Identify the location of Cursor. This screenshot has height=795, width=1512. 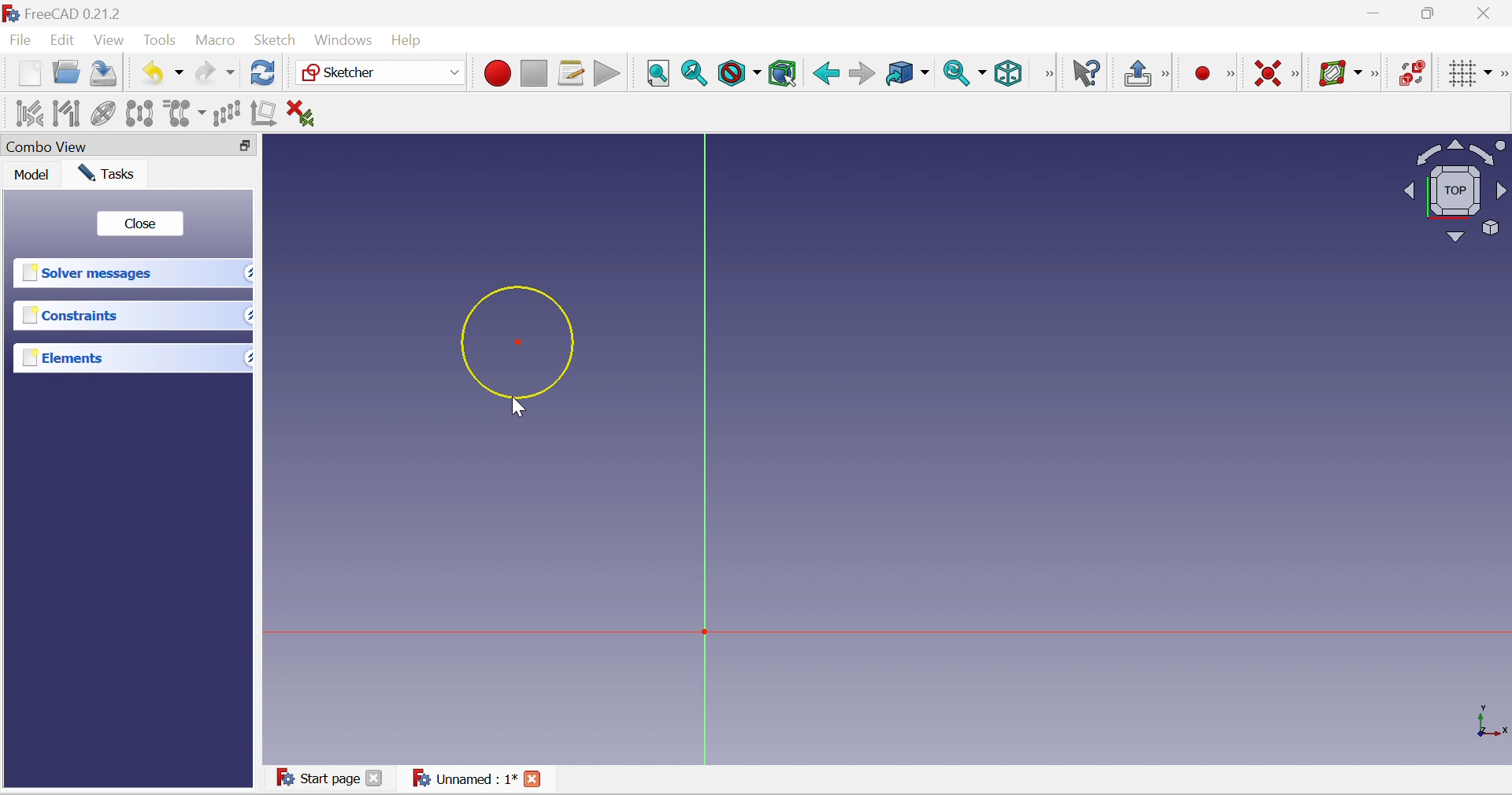
(521, 411).